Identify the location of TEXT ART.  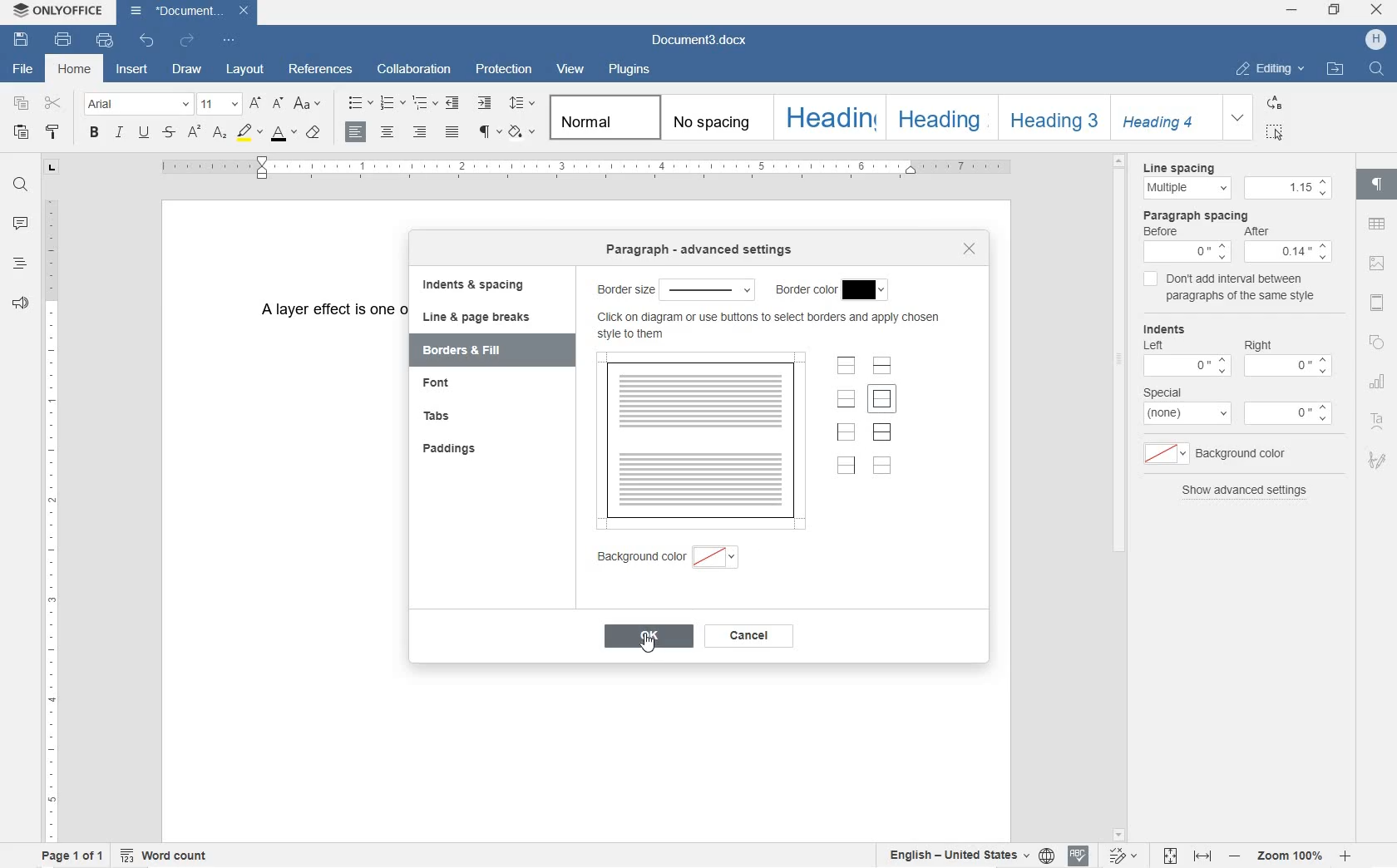
(1377, 421).